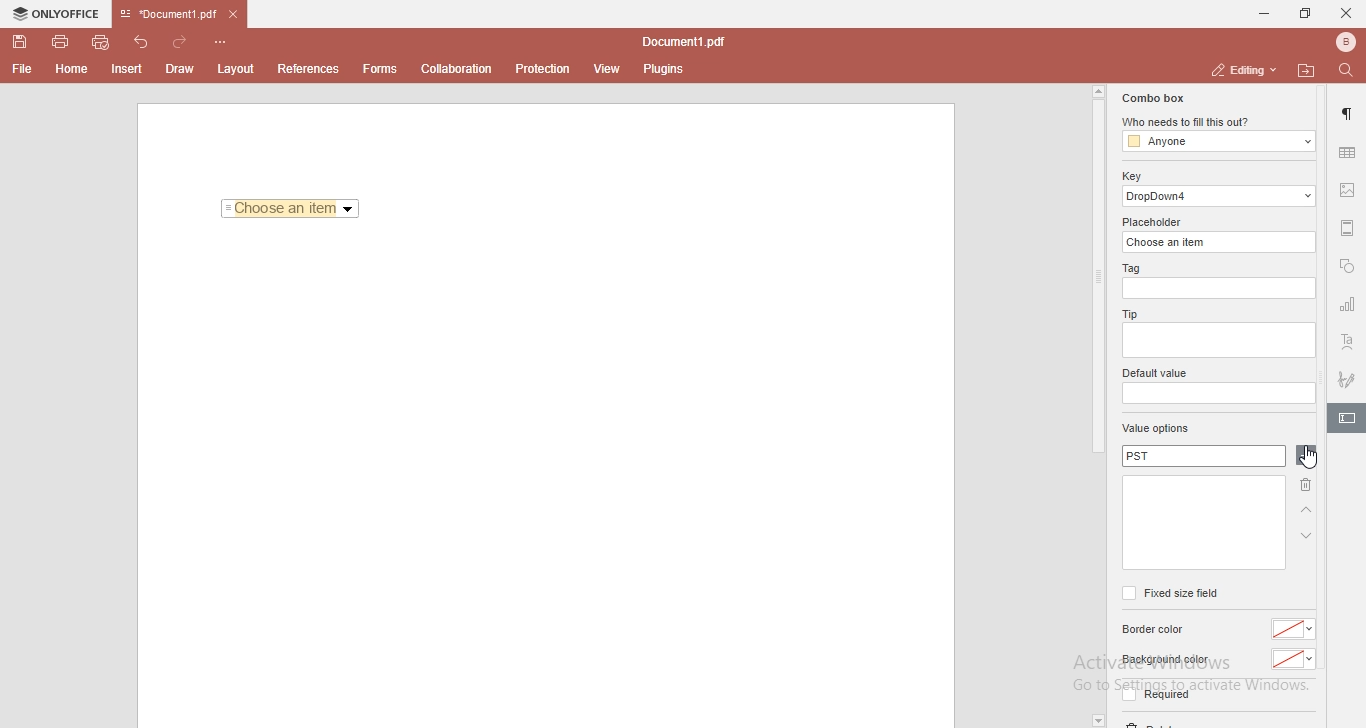 Image resolution: width=1366 pixels, height=728 pixels. I want to click on protection, so click(543, 68).